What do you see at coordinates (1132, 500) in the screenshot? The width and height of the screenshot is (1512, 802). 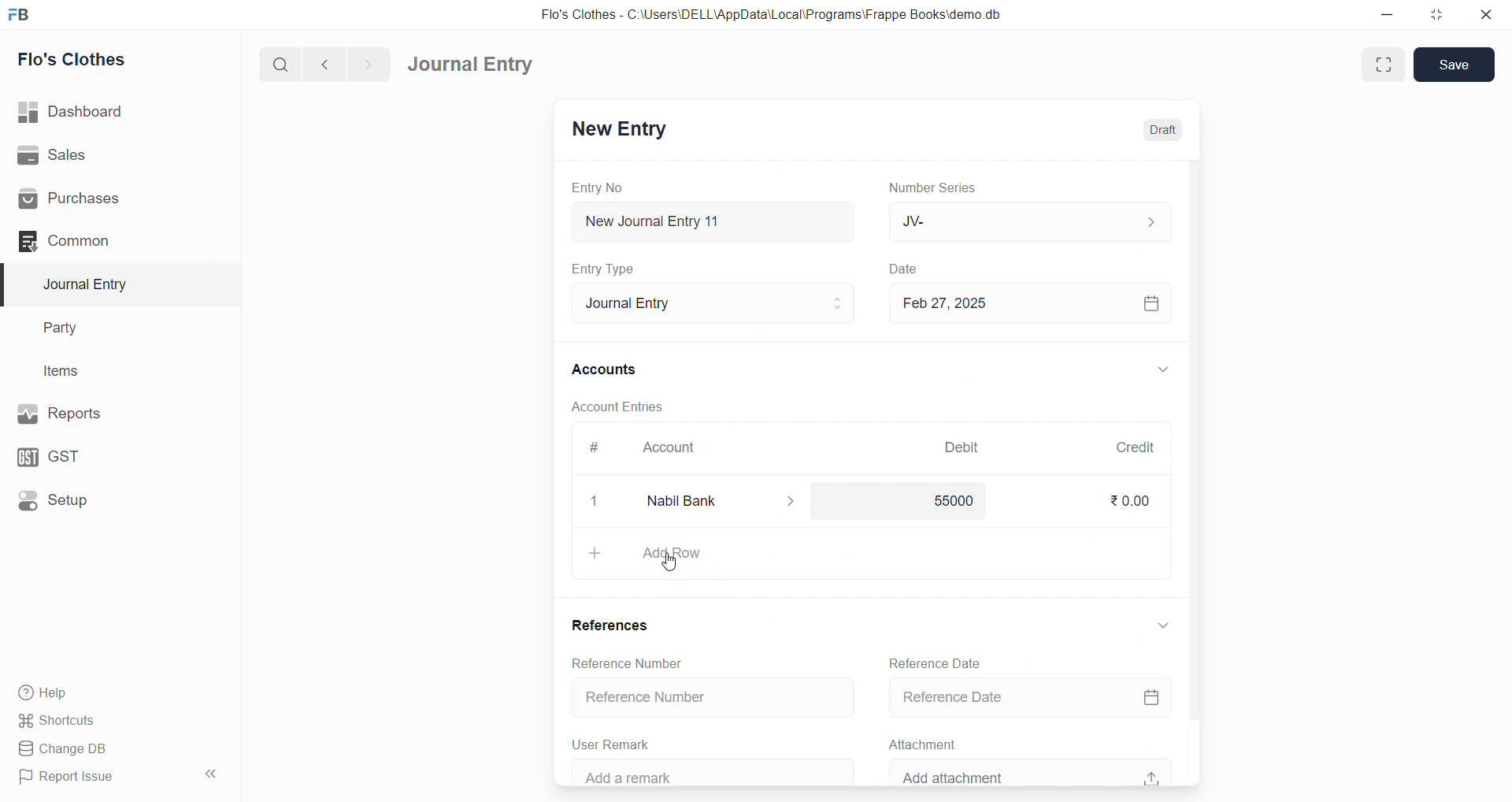 I see `₹0.00` at bounding box center [1132, 500].